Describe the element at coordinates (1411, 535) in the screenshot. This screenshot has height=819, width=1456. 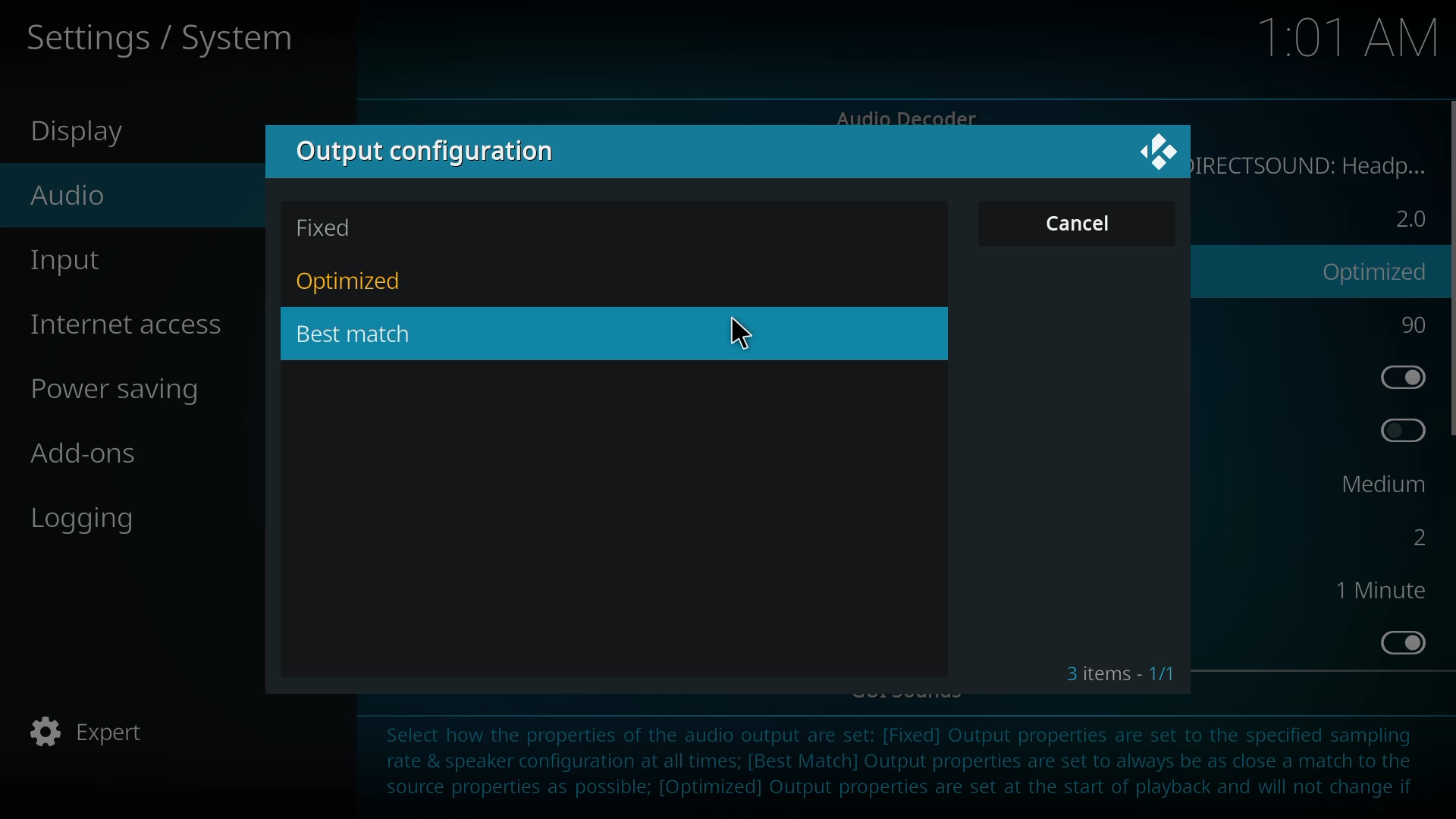
I see `2` at that location.